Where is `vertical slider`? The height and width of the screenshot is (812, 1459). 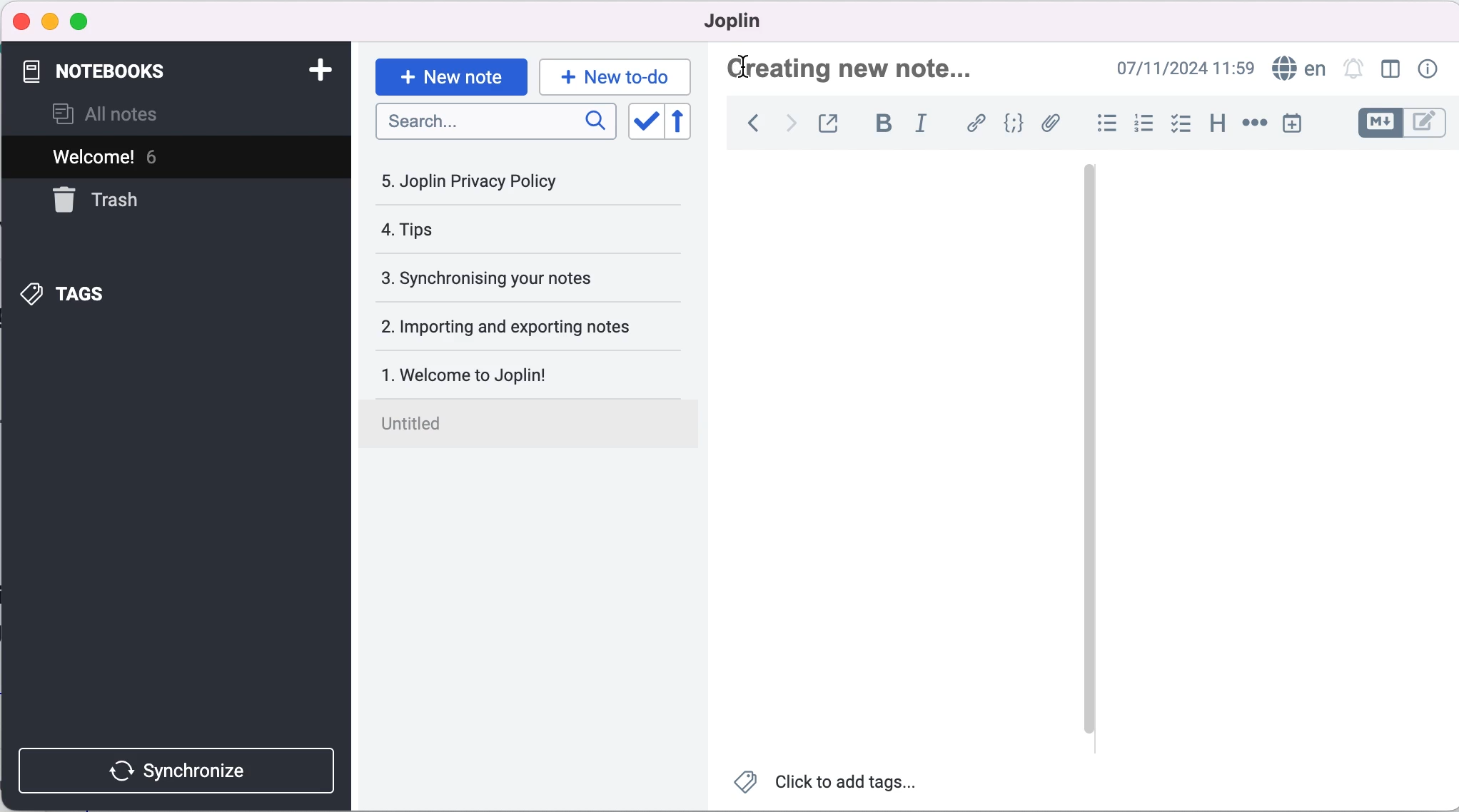 vertical slider is located at coordinates (1089, 213).